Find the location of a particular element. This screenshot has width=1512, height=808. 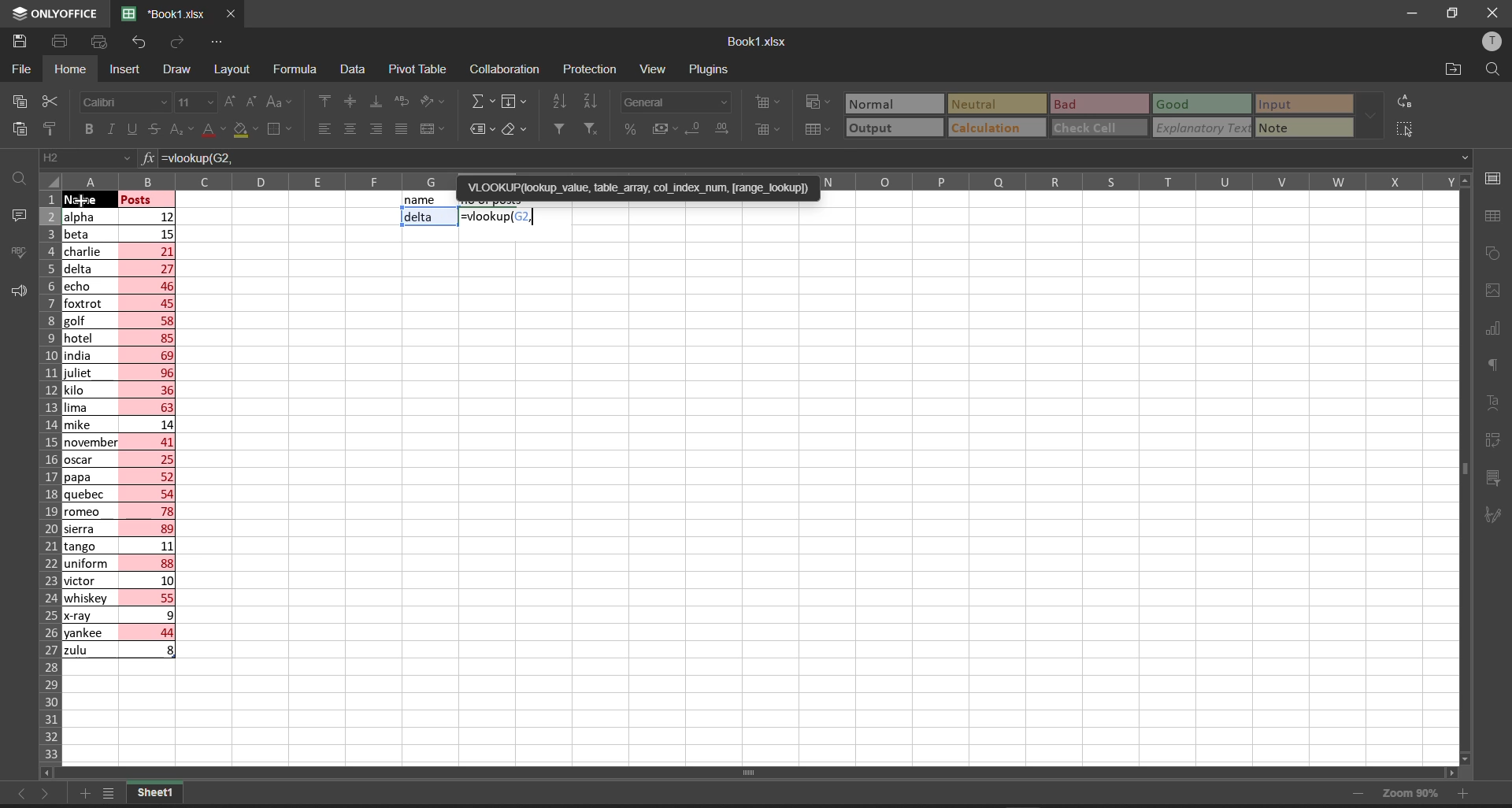

replace is located at coordinates (1406, 101).